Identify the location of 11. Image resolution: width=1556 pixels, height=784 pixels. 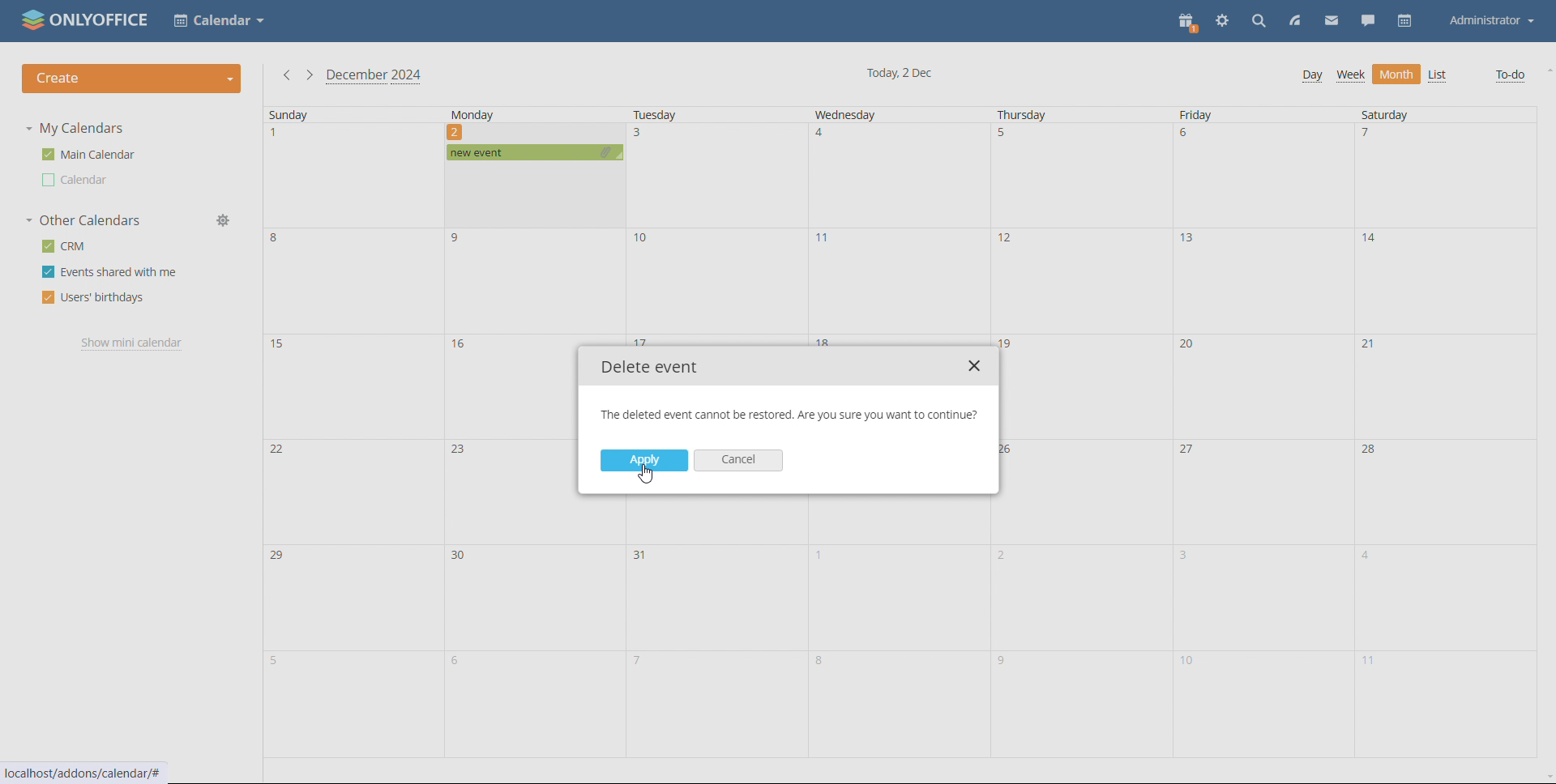
(1374, 667).